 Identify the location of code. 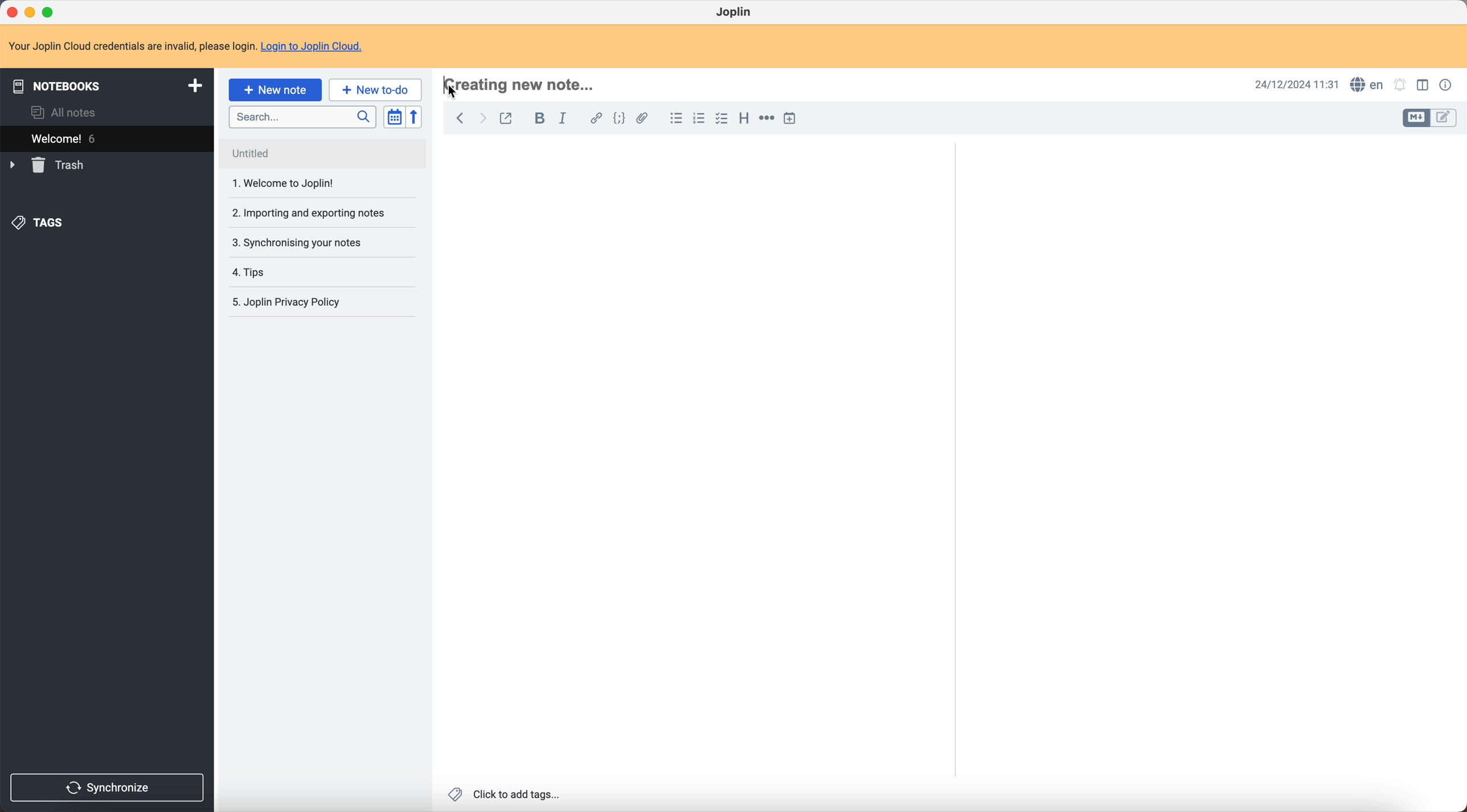
(619, 119).